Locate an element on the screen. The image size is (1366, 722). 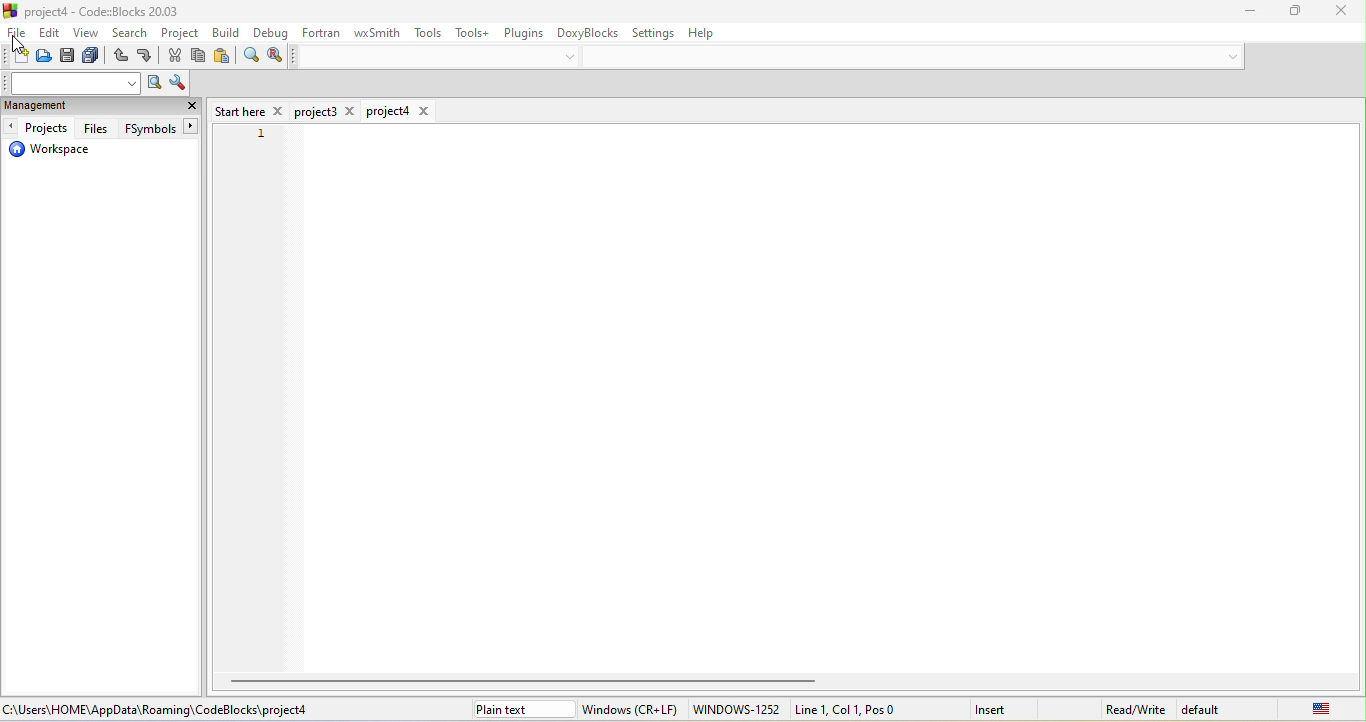
projects is located at coordinates (39, 128).